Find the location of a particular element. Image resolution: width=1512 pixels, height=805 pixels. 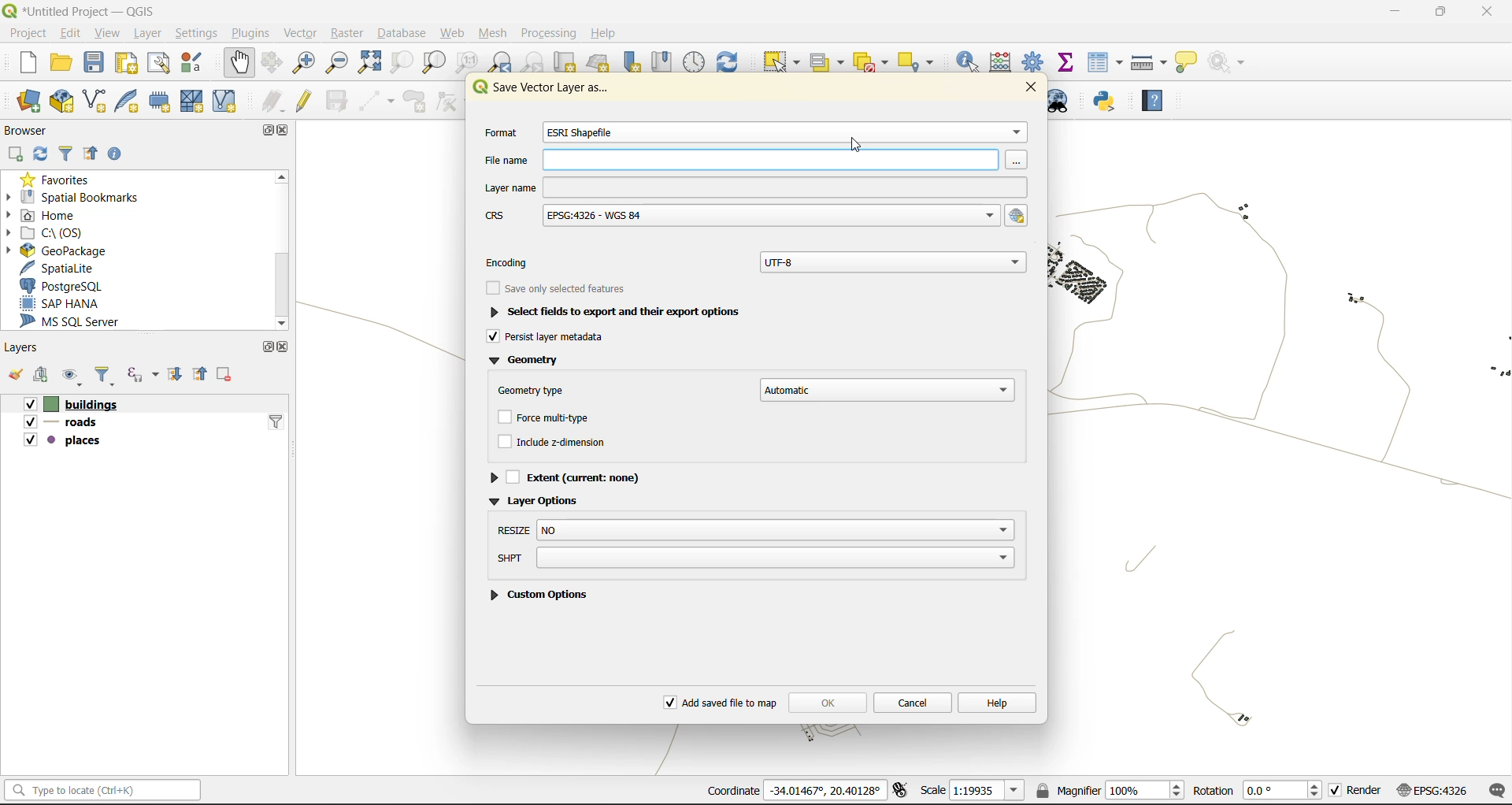

geometry type is located at coordinates (754, 388).